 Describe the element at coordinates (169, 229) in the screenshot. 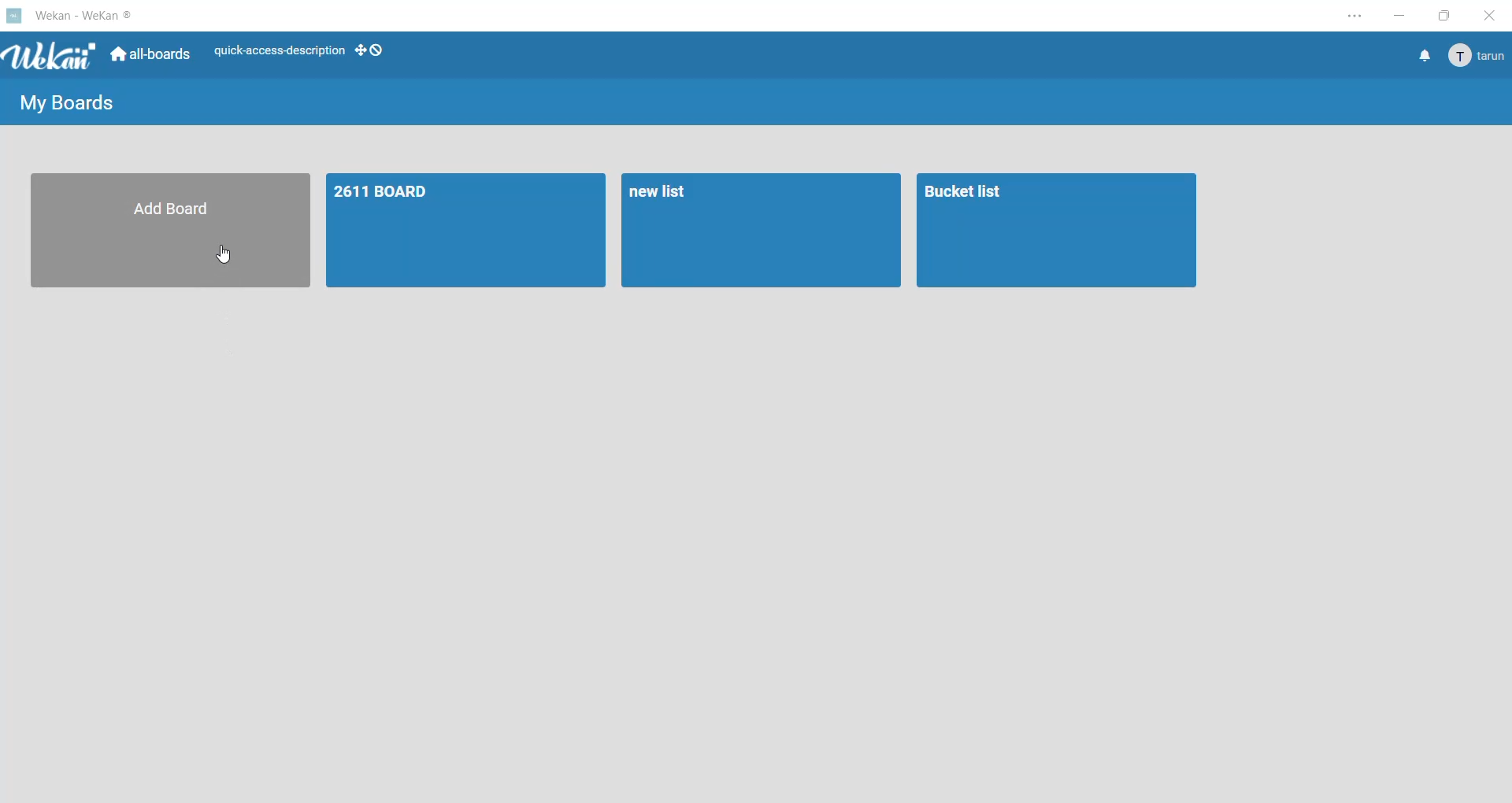

I see `add board` at that location.